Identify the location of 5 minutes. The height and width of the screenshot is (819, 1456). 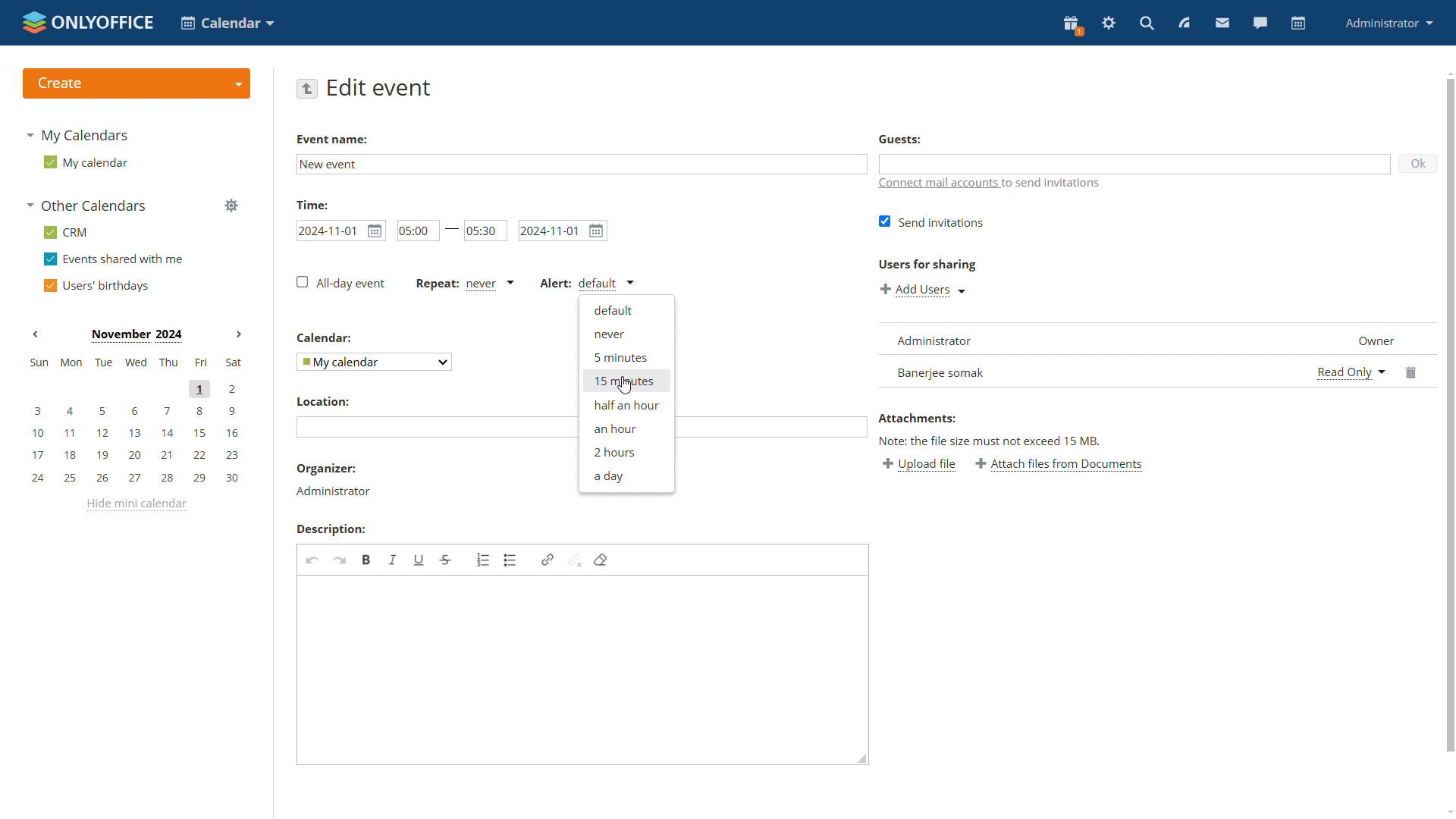
(626, 356).